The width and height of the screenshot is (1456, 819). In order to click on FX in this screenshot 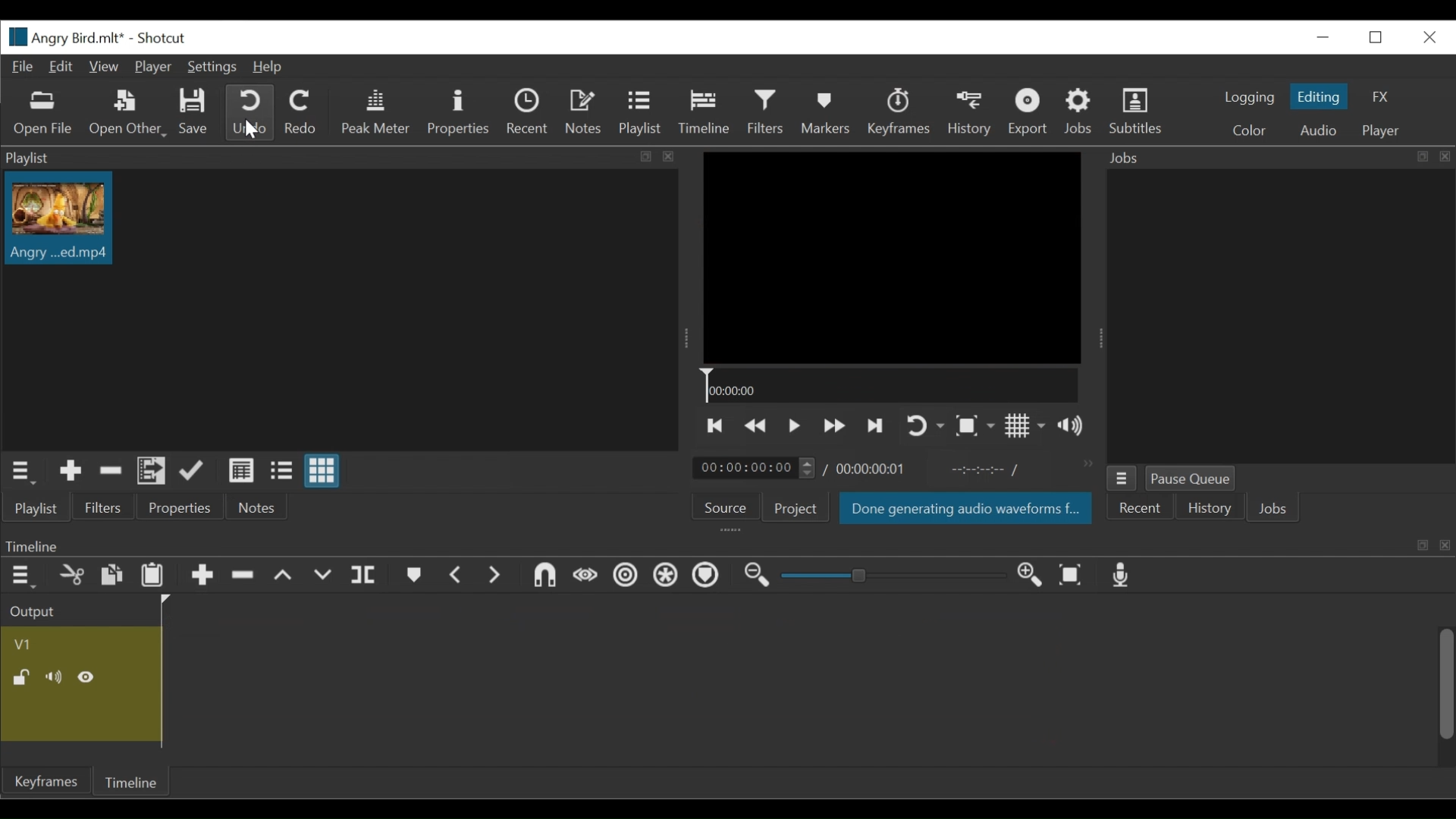, I will do `click(1379, 96)`.